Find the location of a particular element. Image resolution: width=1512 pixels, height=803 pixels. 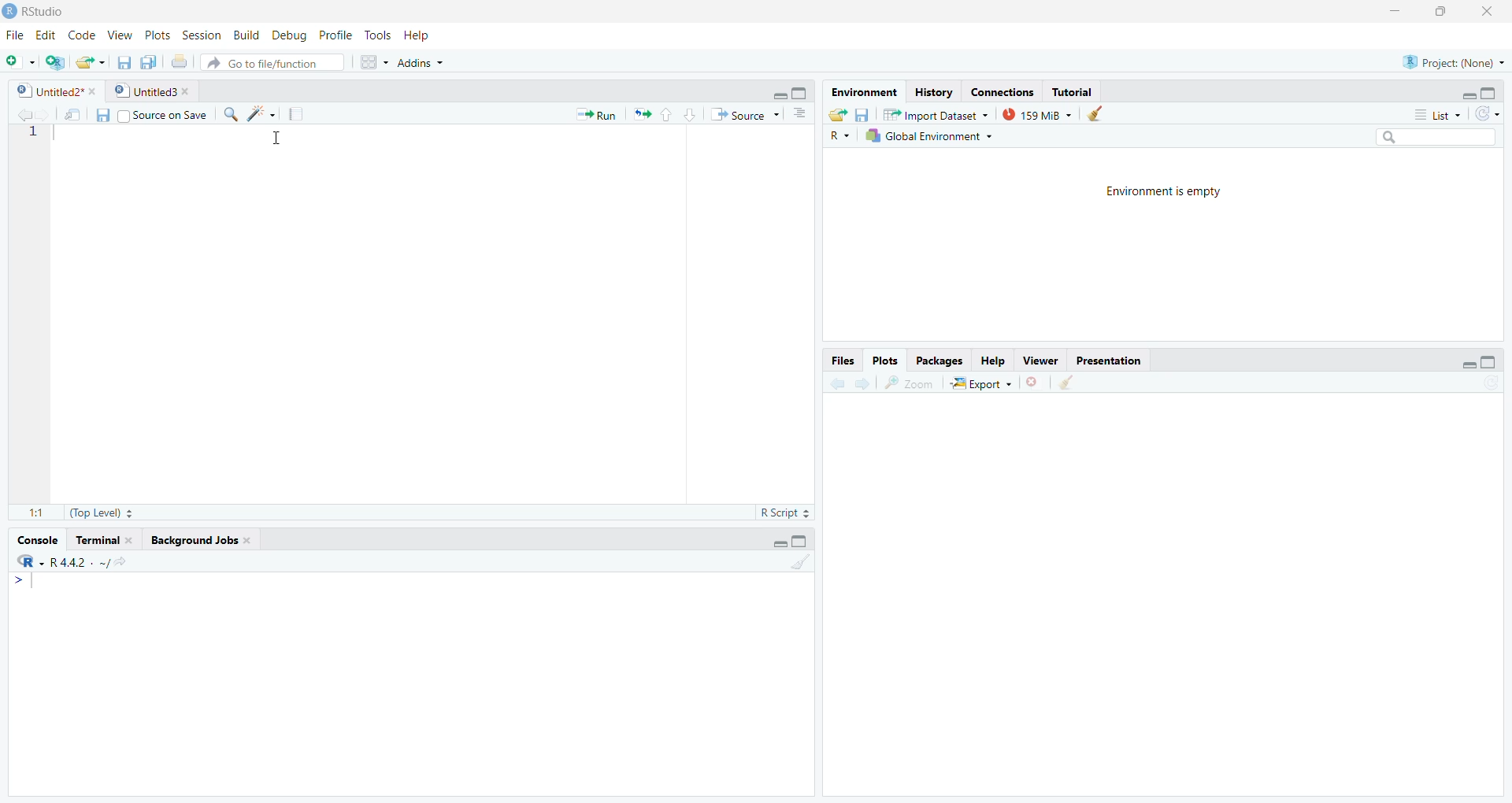

Export  is located at coordinates (981, 383).